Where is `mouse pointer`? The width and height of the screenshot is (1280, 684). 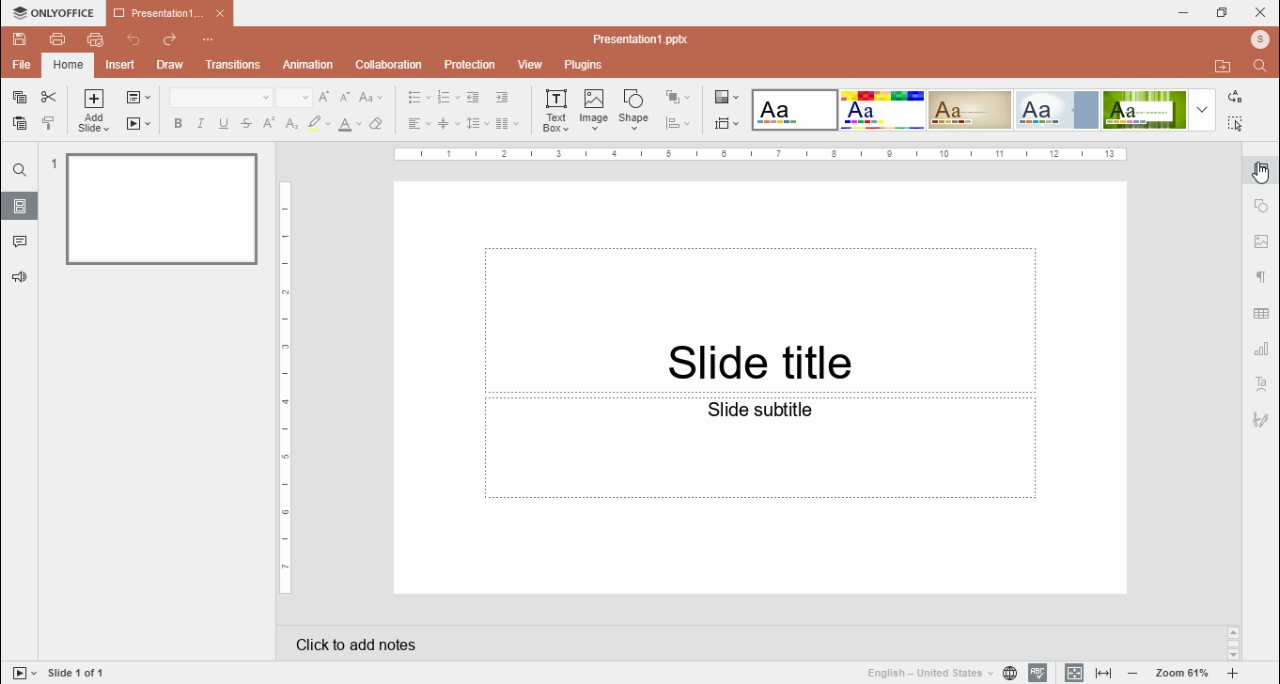
mouse pointer is located at coordinates (1262, 173).